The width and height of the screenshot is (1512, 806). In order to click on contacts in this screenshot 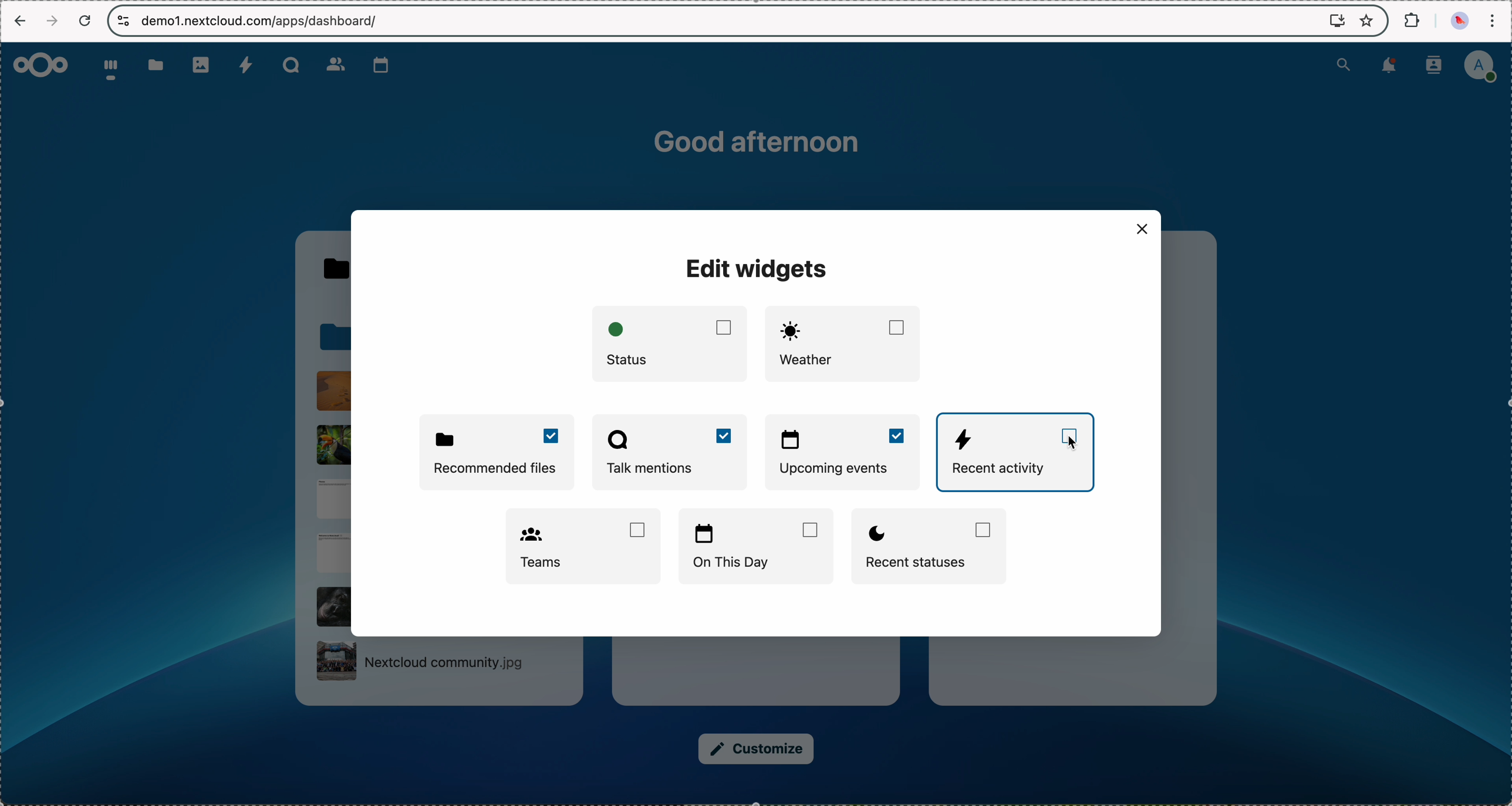, I will do `click(335, 65)`.